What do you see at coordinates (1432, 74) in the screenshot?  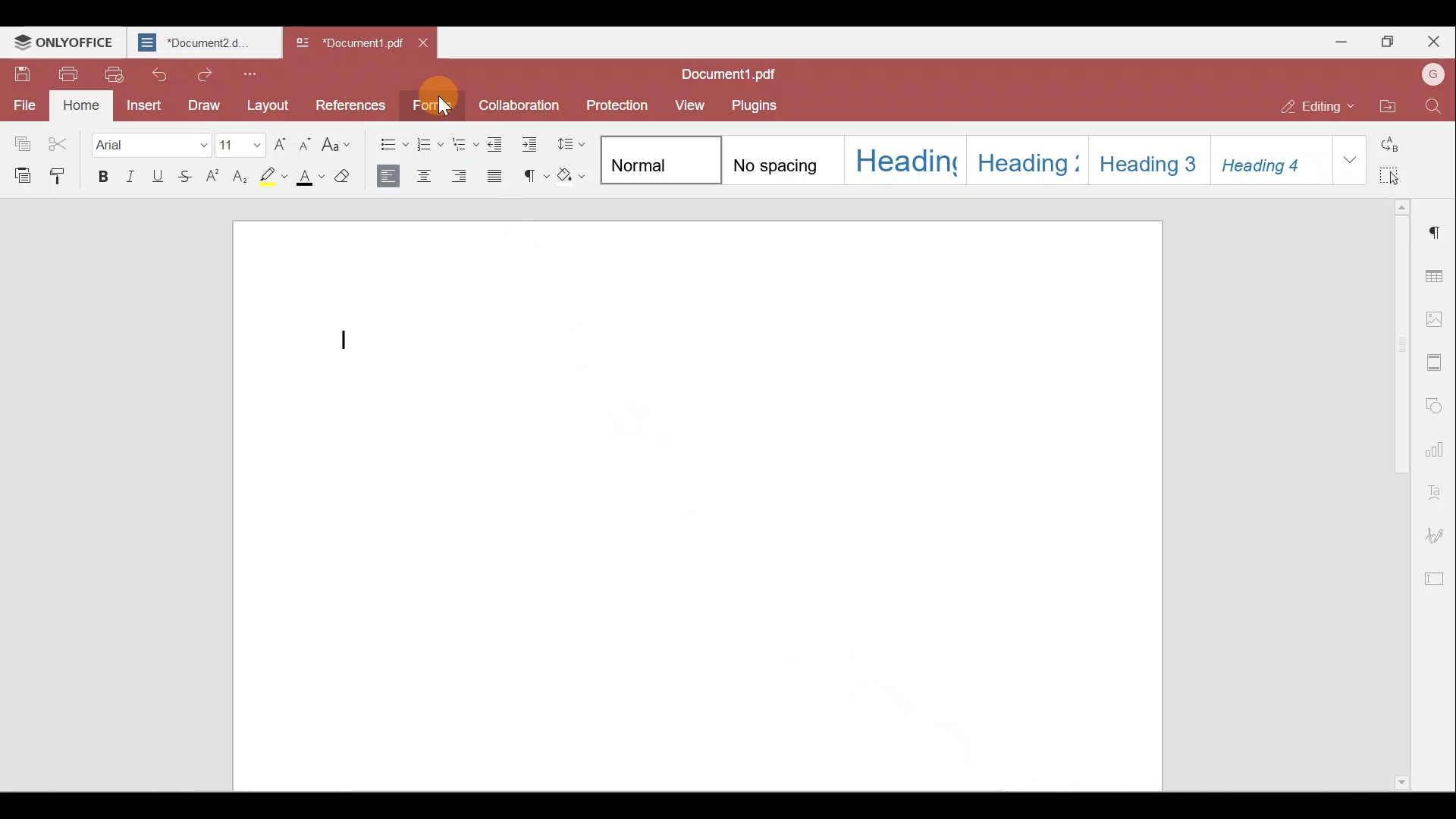 I see `Account name` at bounding box center [1432, 74].